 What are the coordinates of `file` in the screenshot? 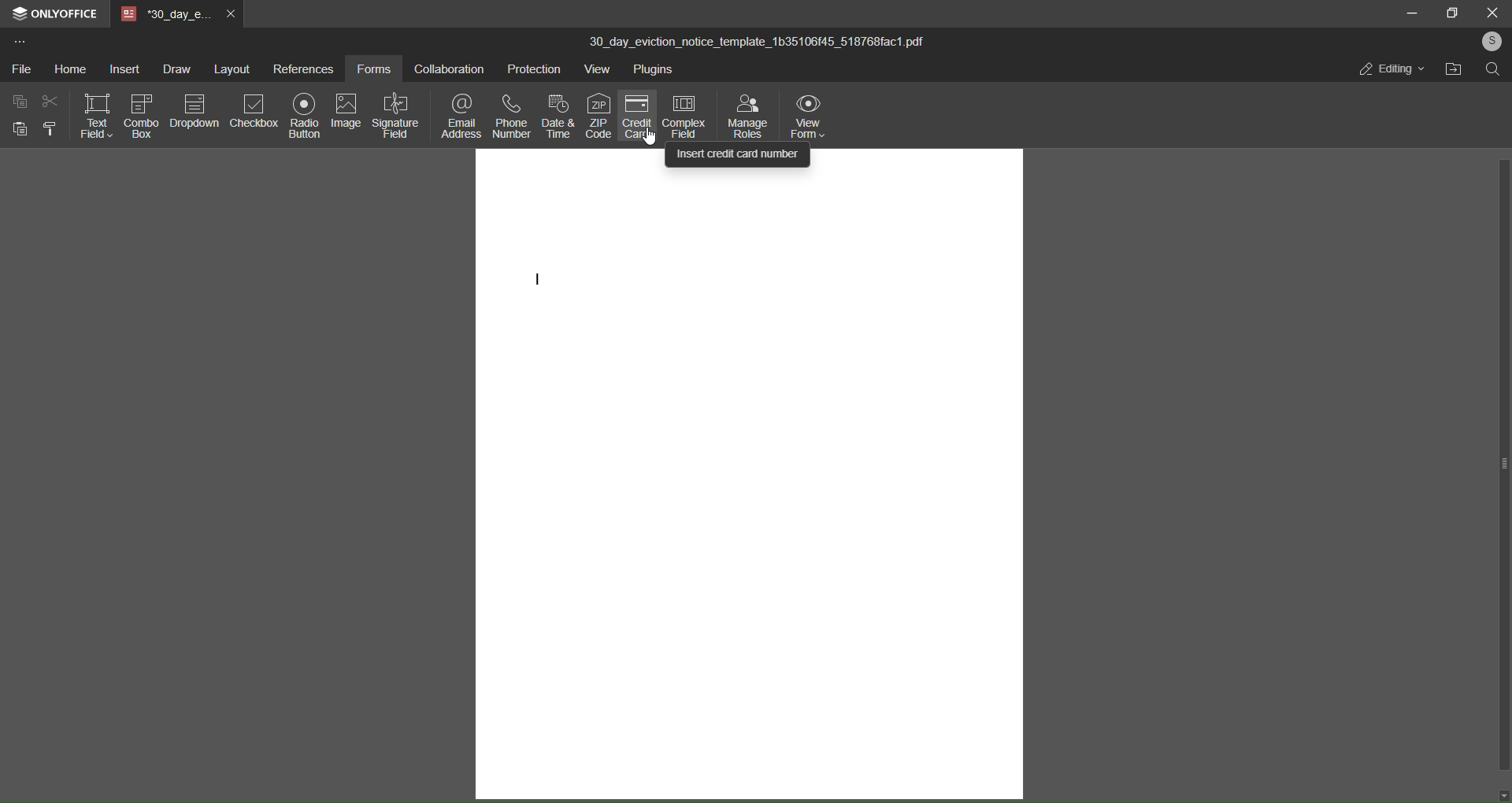 It's located at (21, 70).